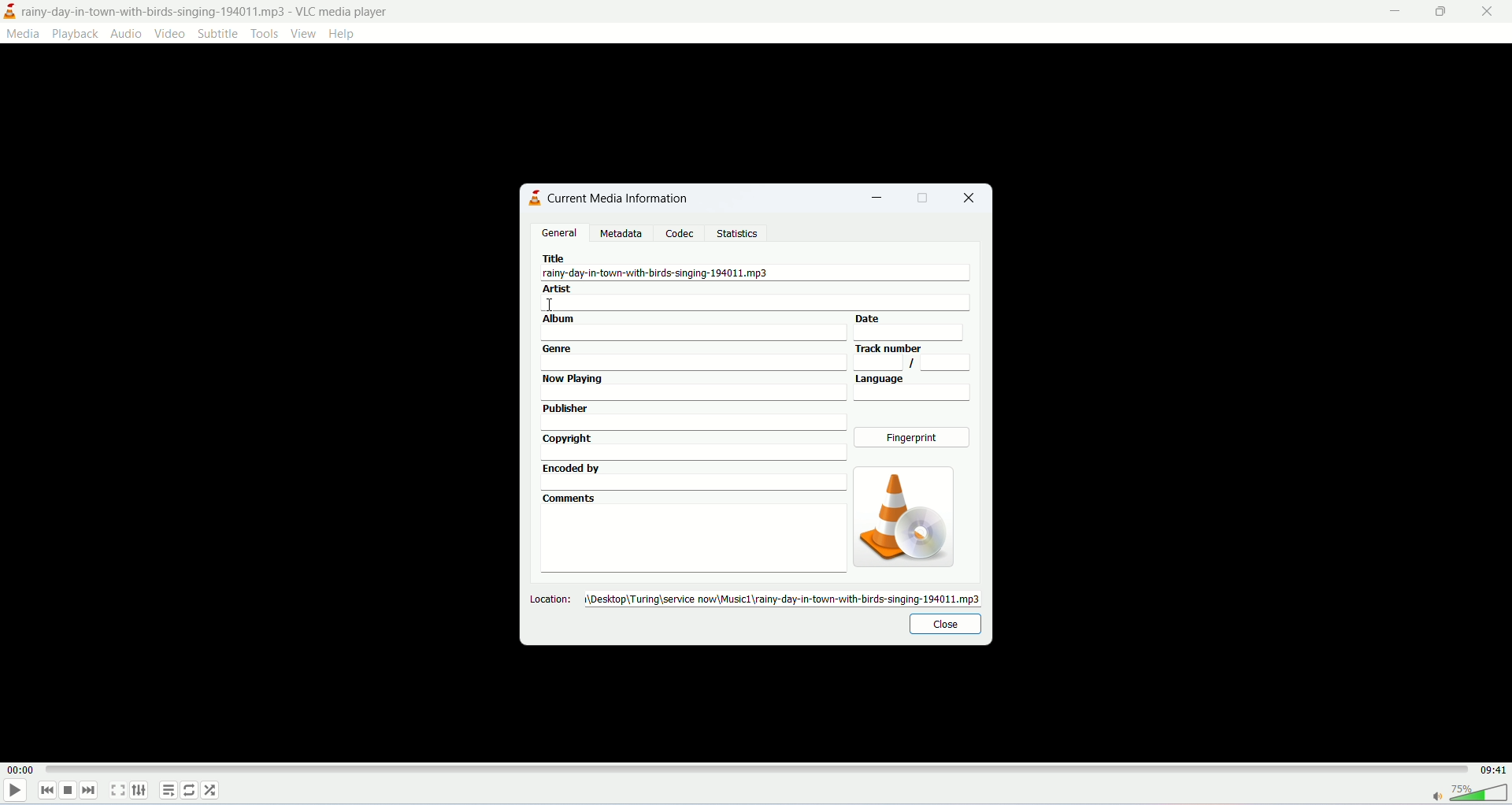 This screenshot has width=1512, height=805. What do you see at coordinates (901, 517) in the screenshot?
I see `image` at bounding box center [901, 517].